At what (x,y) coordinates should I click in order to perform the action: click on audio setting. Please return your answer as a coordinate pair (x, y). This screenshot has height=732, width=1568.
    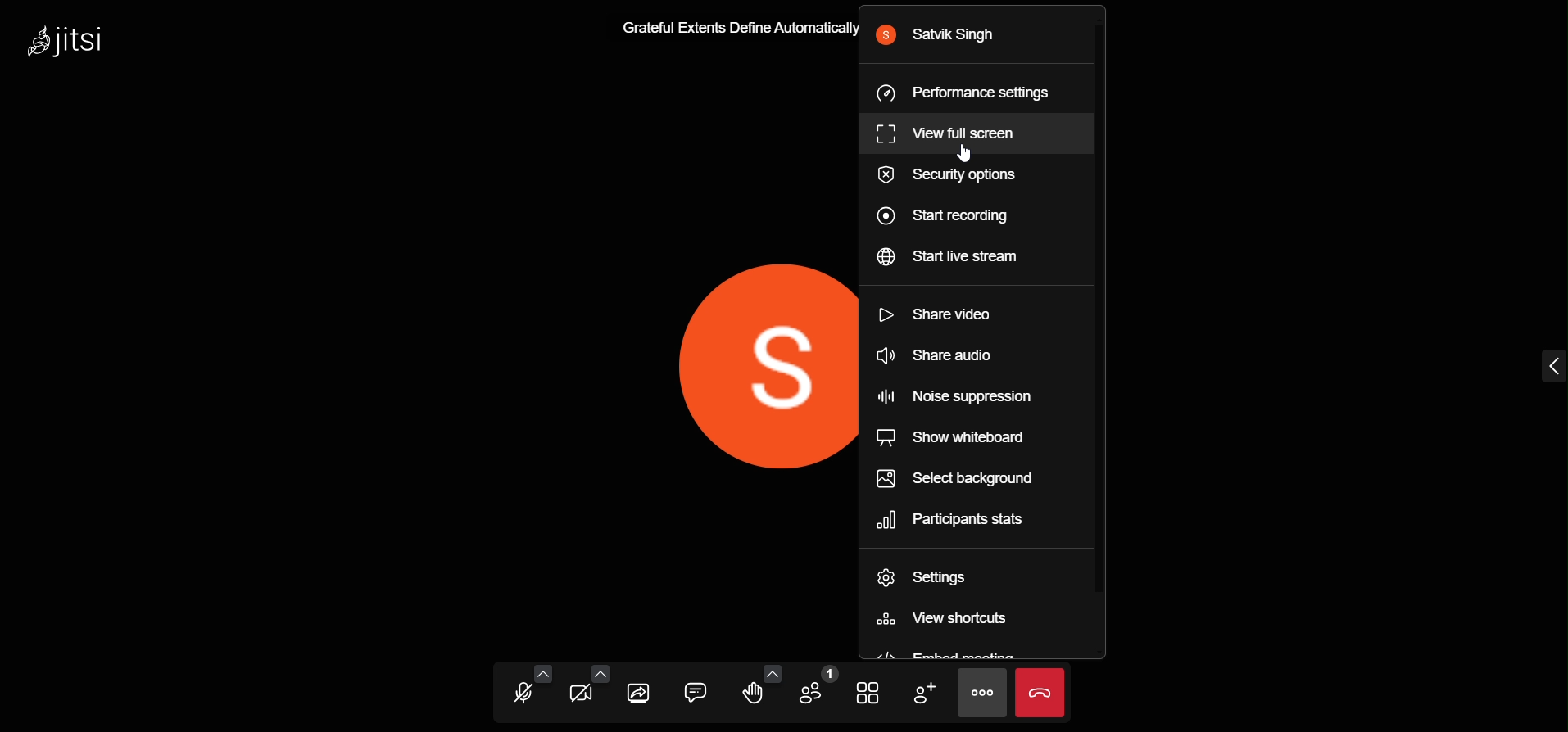
    Looking at the image, I should click on (544, 673).